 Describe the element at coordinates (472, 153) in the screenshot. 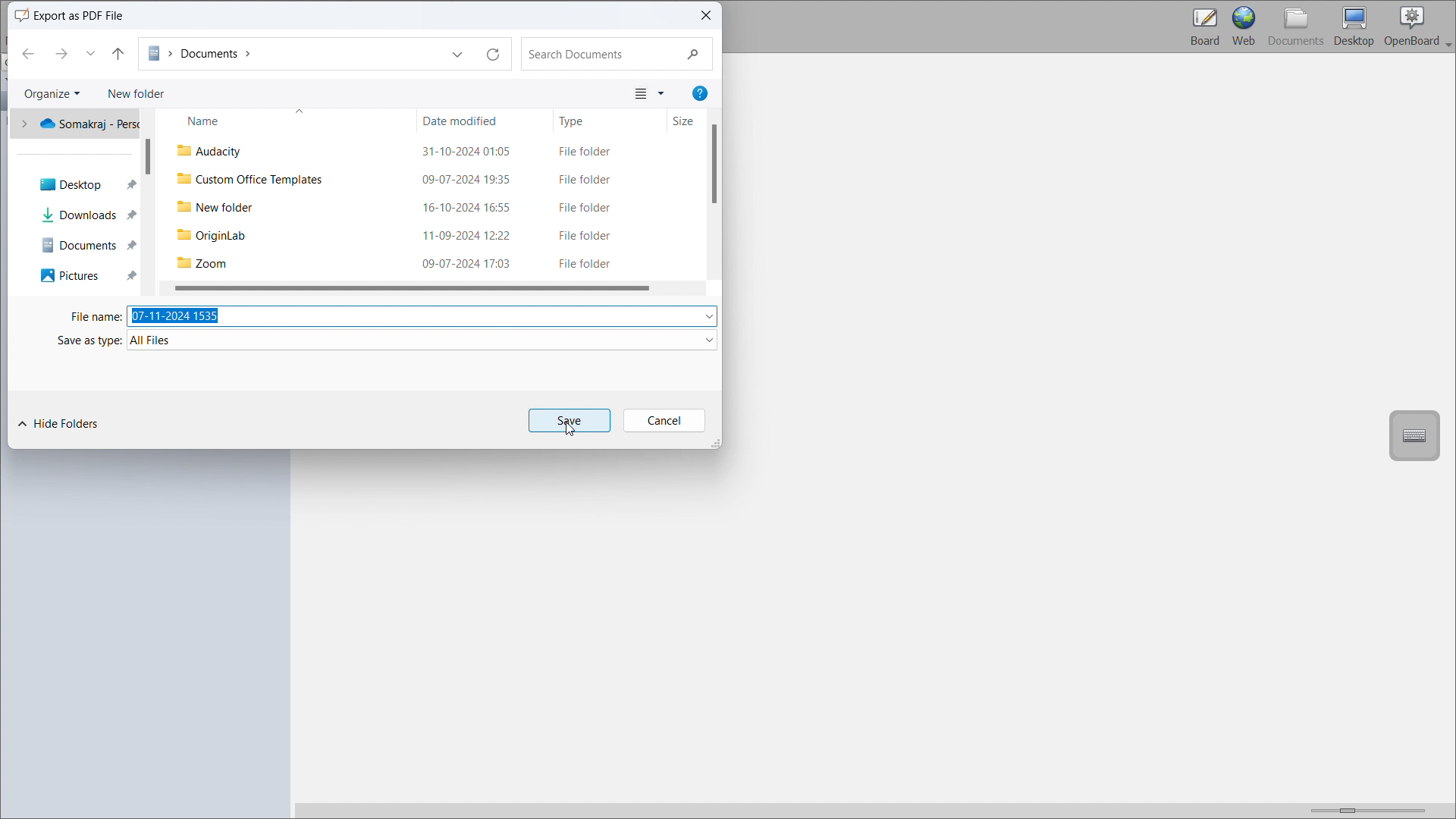

I see `31-10-2024 01:05` at that location.